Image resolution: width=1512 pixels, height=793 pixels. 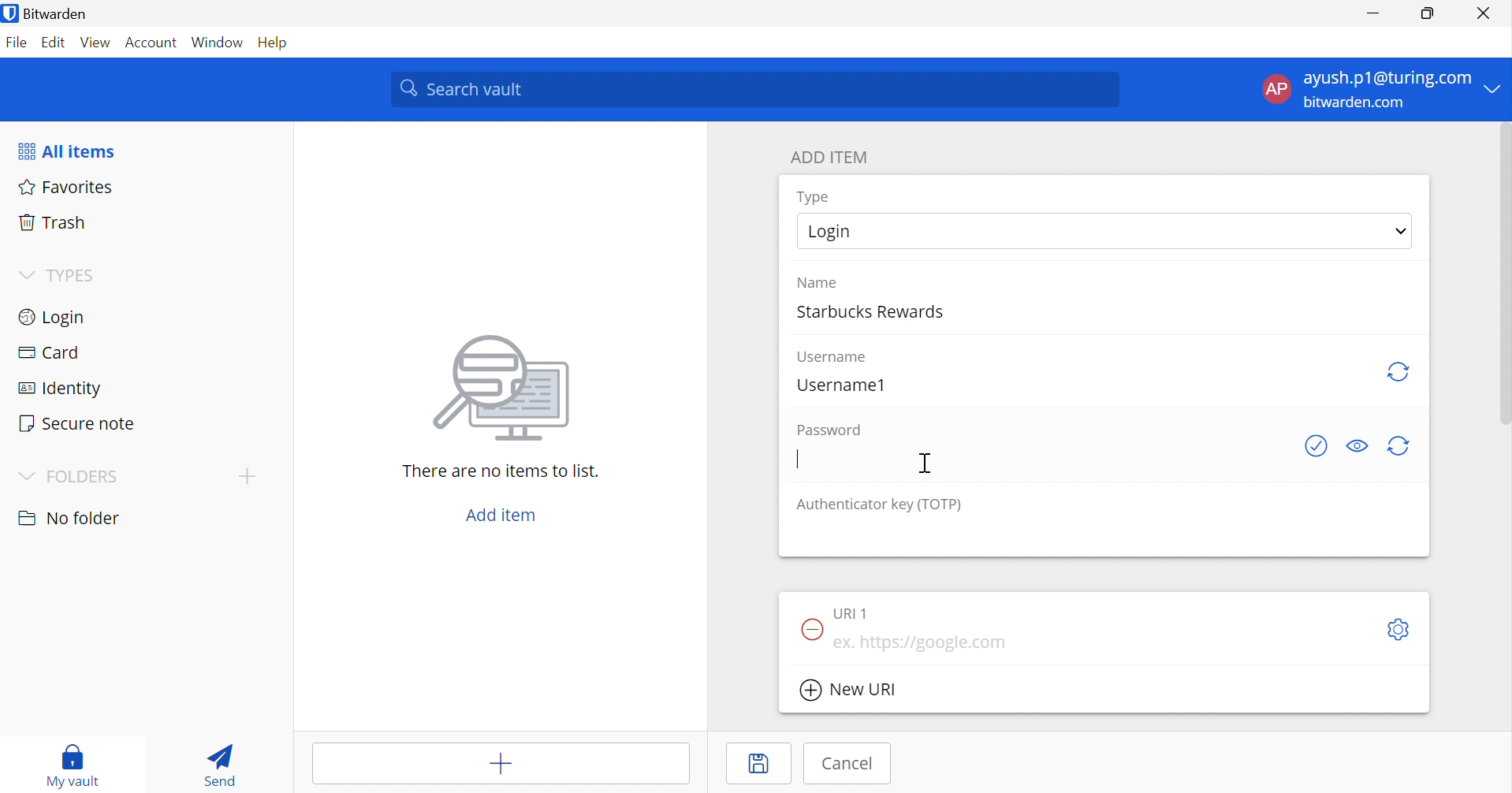 What do you see at coordinates (836, 229) in the screenshot?
I see `Login` at bounding box center [836, 229].